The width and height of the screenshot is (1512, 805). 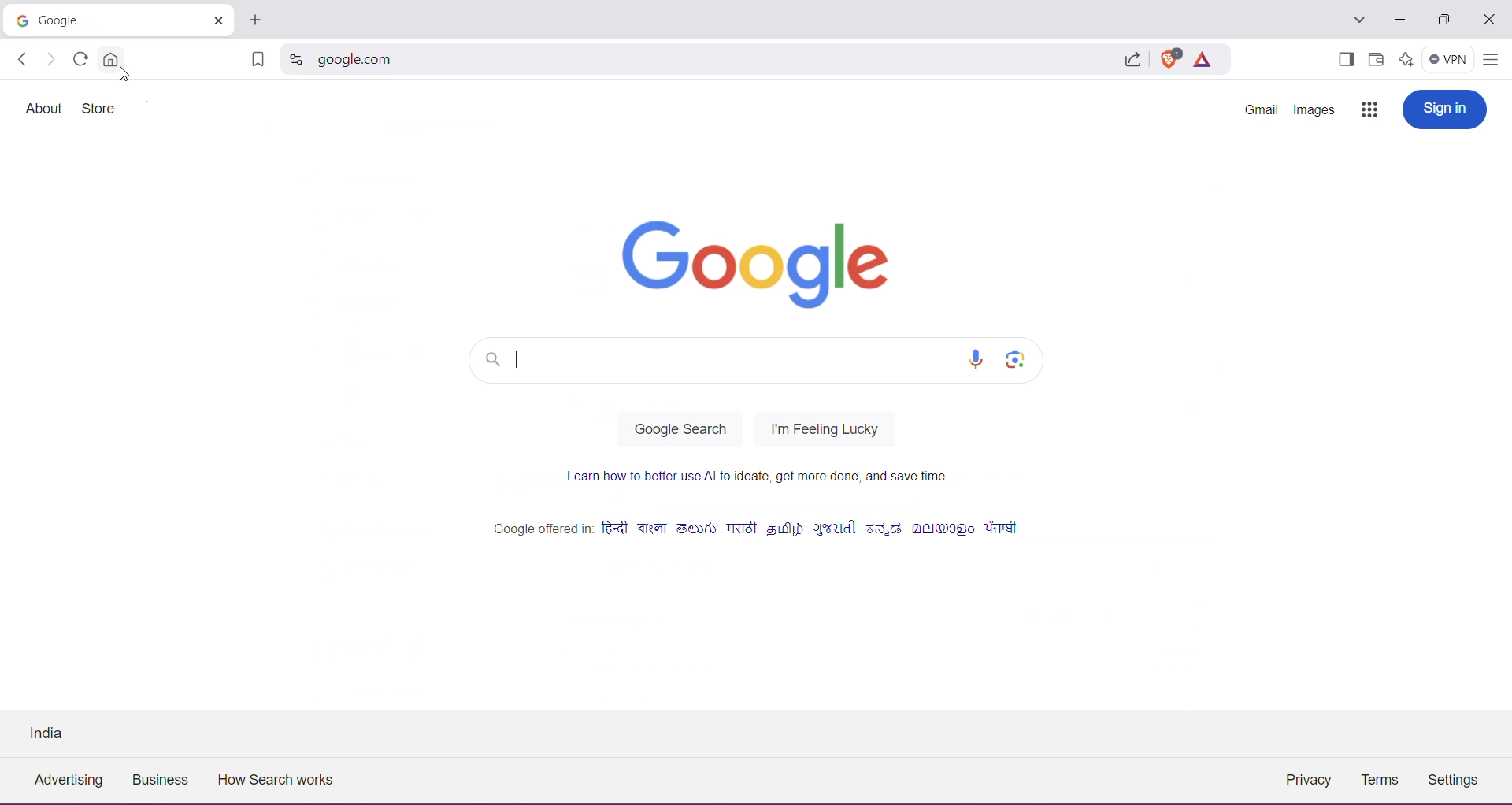 What do you see at coordinates (126, 73) in the screenshot?
I see `cursor` at bounding box center [126, 73].